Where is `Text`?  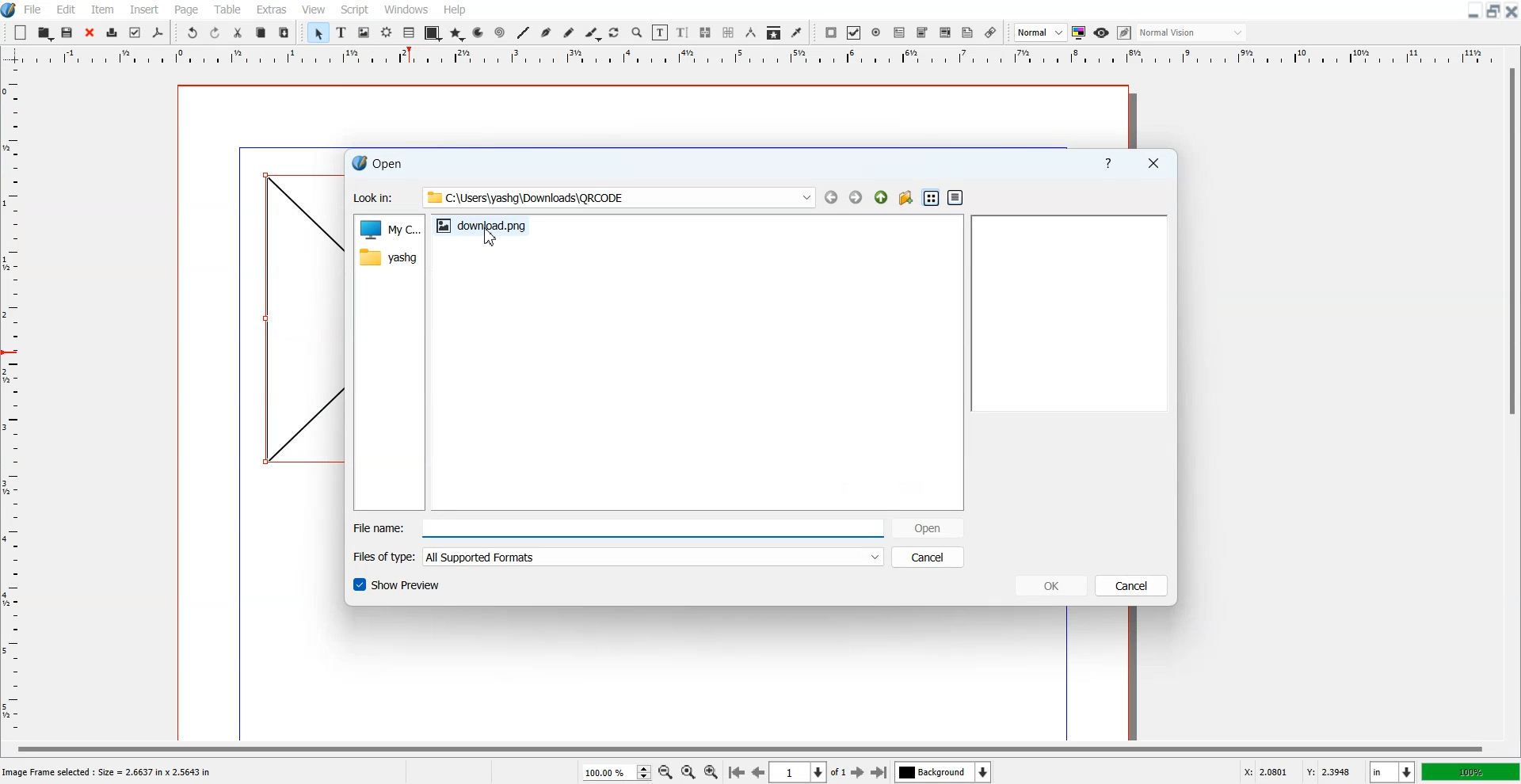
Text is located at coordinates (378, 164).